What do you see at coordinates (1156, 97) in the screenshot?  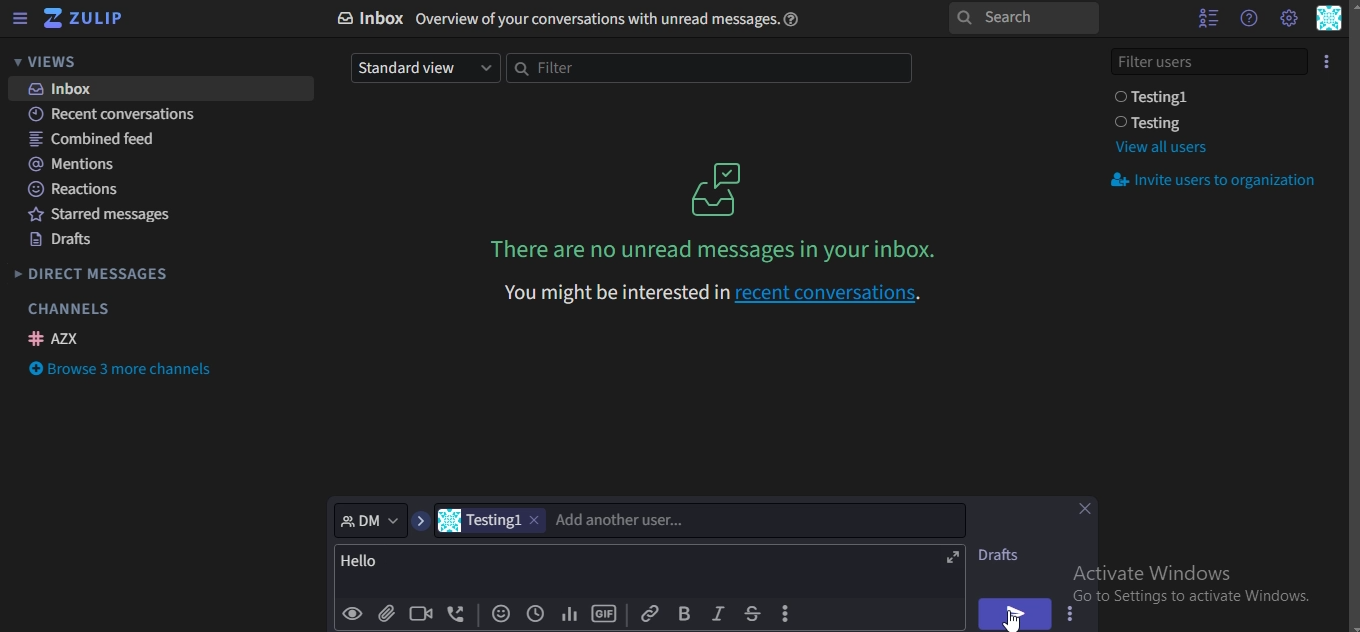 I see `testing1` at bounding box center [1156, 97].